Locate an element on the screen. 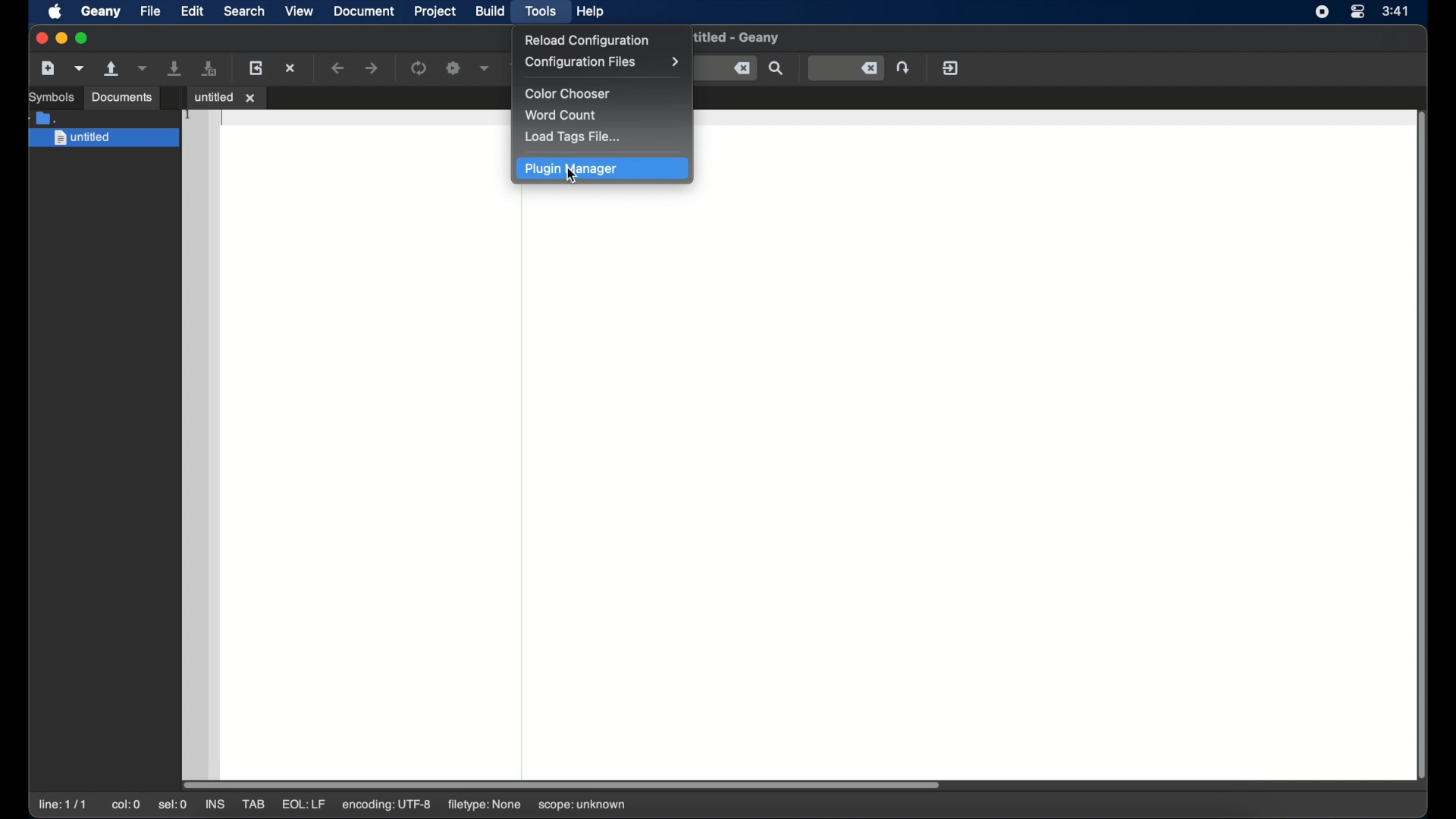  color chooser is located at coordinates (571, 94).